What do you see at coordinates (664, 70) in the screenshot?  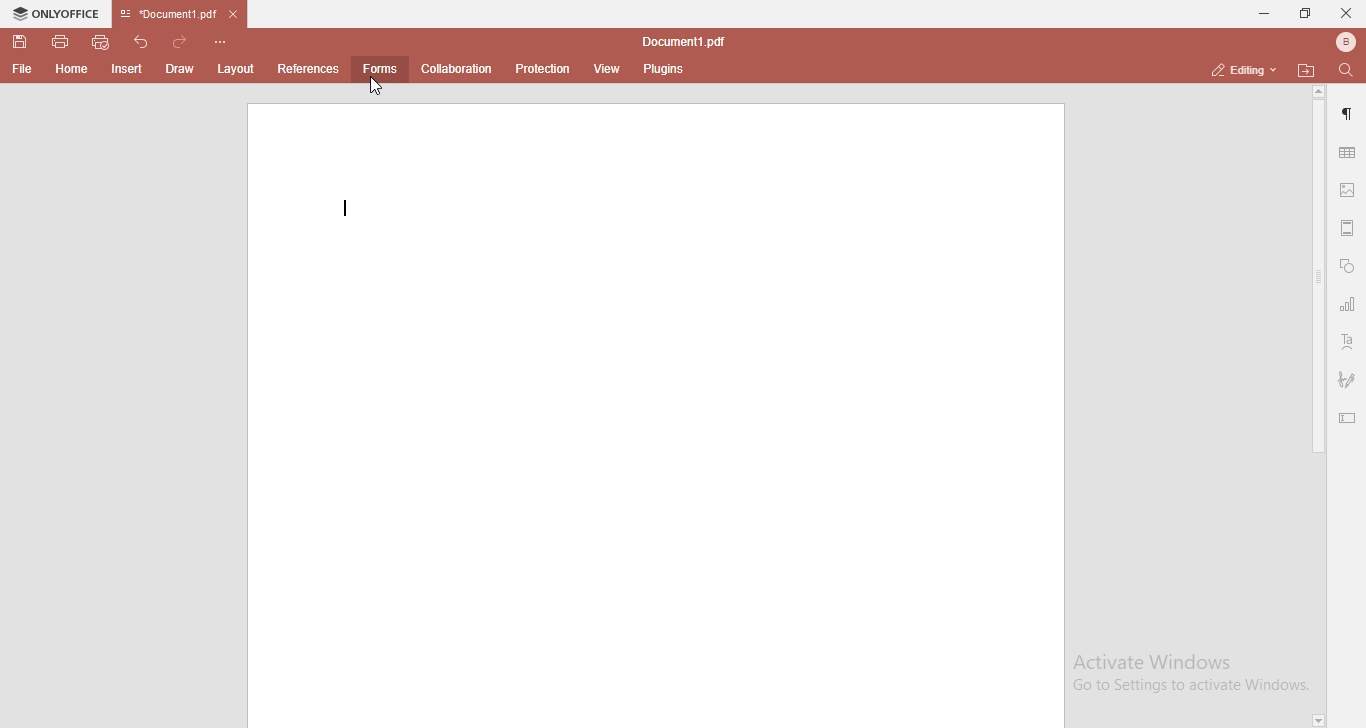 I see `plugins` at bounding box center [664, 70].